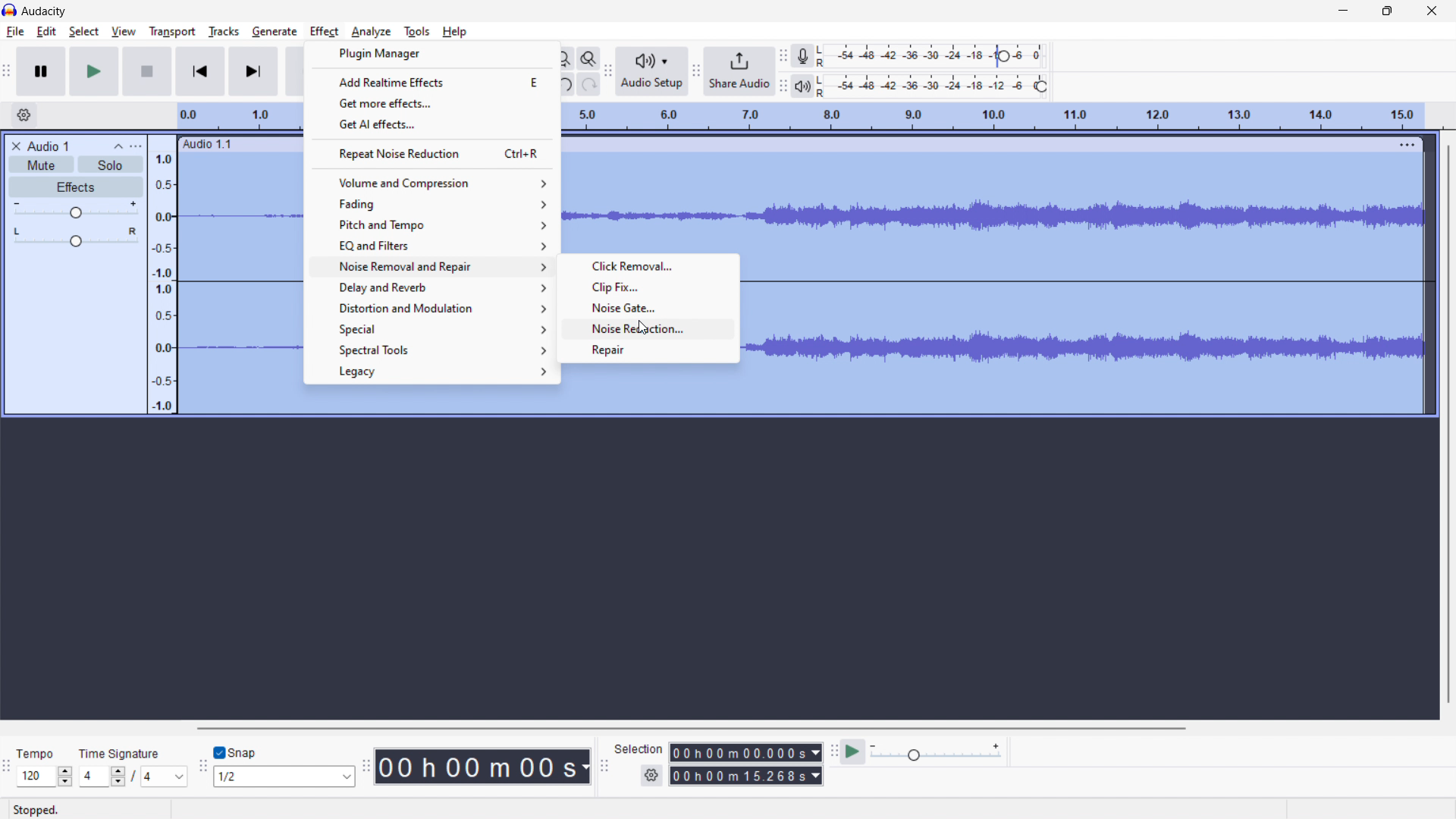  I want to click on minimize, so click(1344, 13).